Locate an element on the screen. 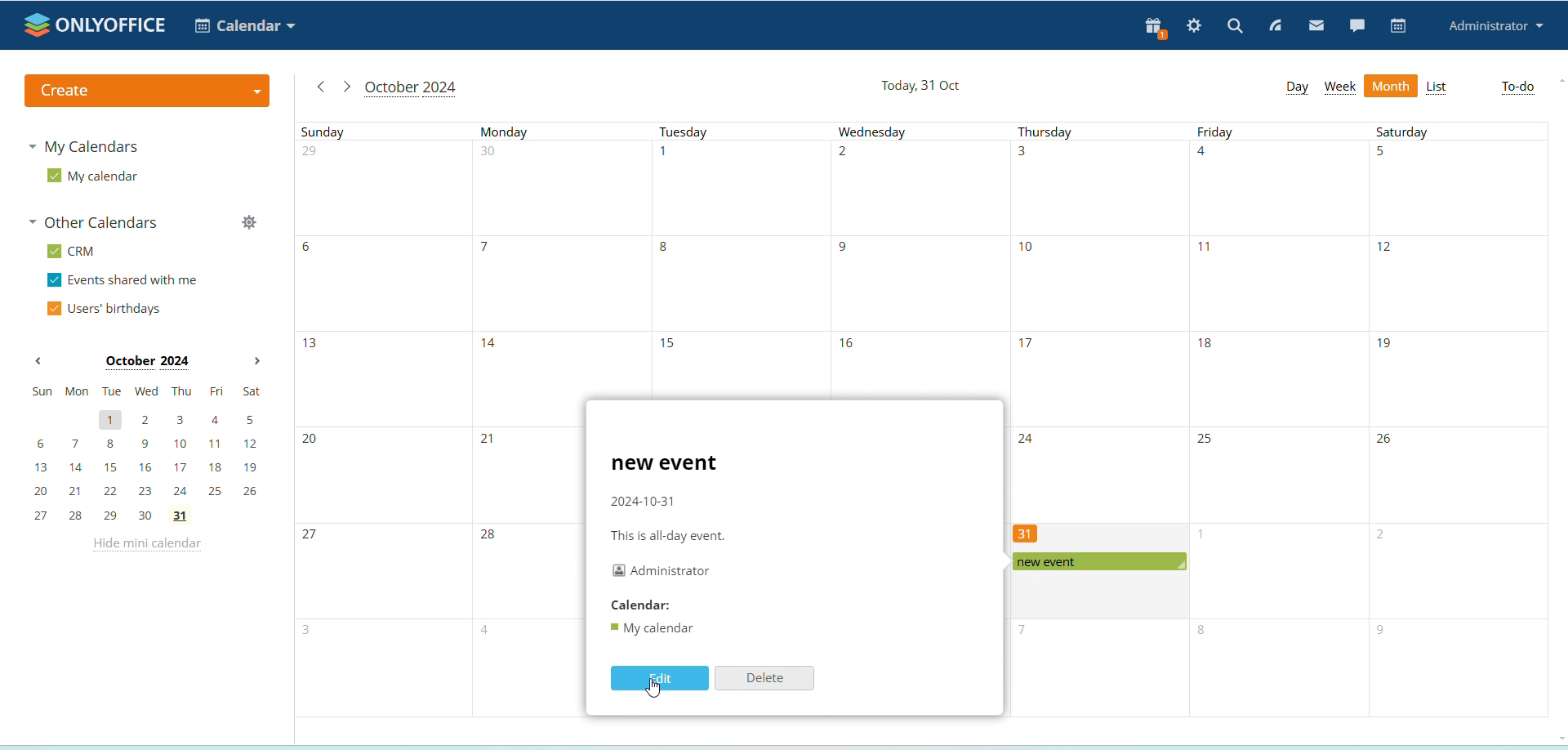 The image size is (1568, 750). logo is located at coordinates (96, 25).